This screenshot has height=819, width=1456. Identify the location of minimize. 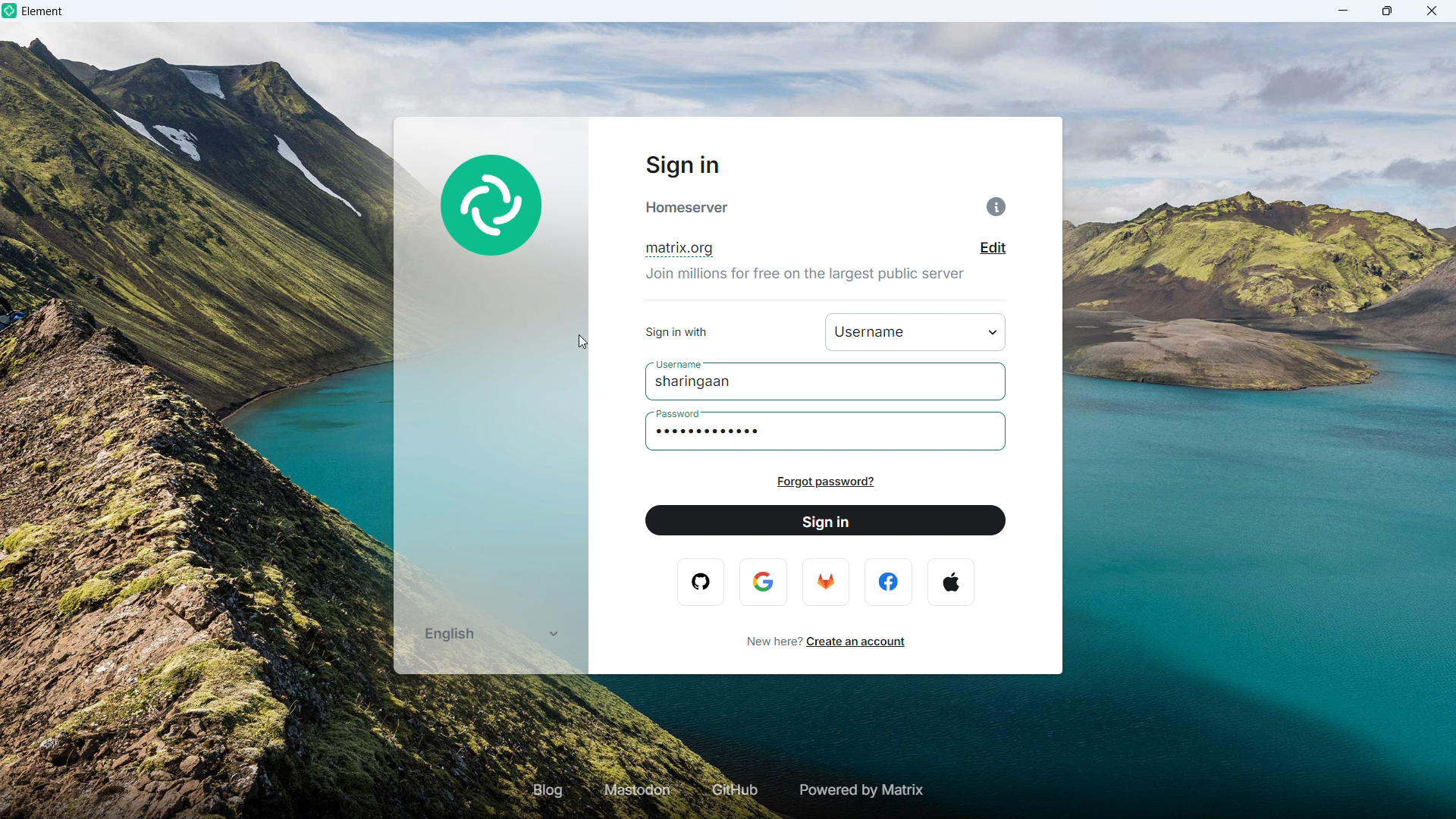
(1344, 11).